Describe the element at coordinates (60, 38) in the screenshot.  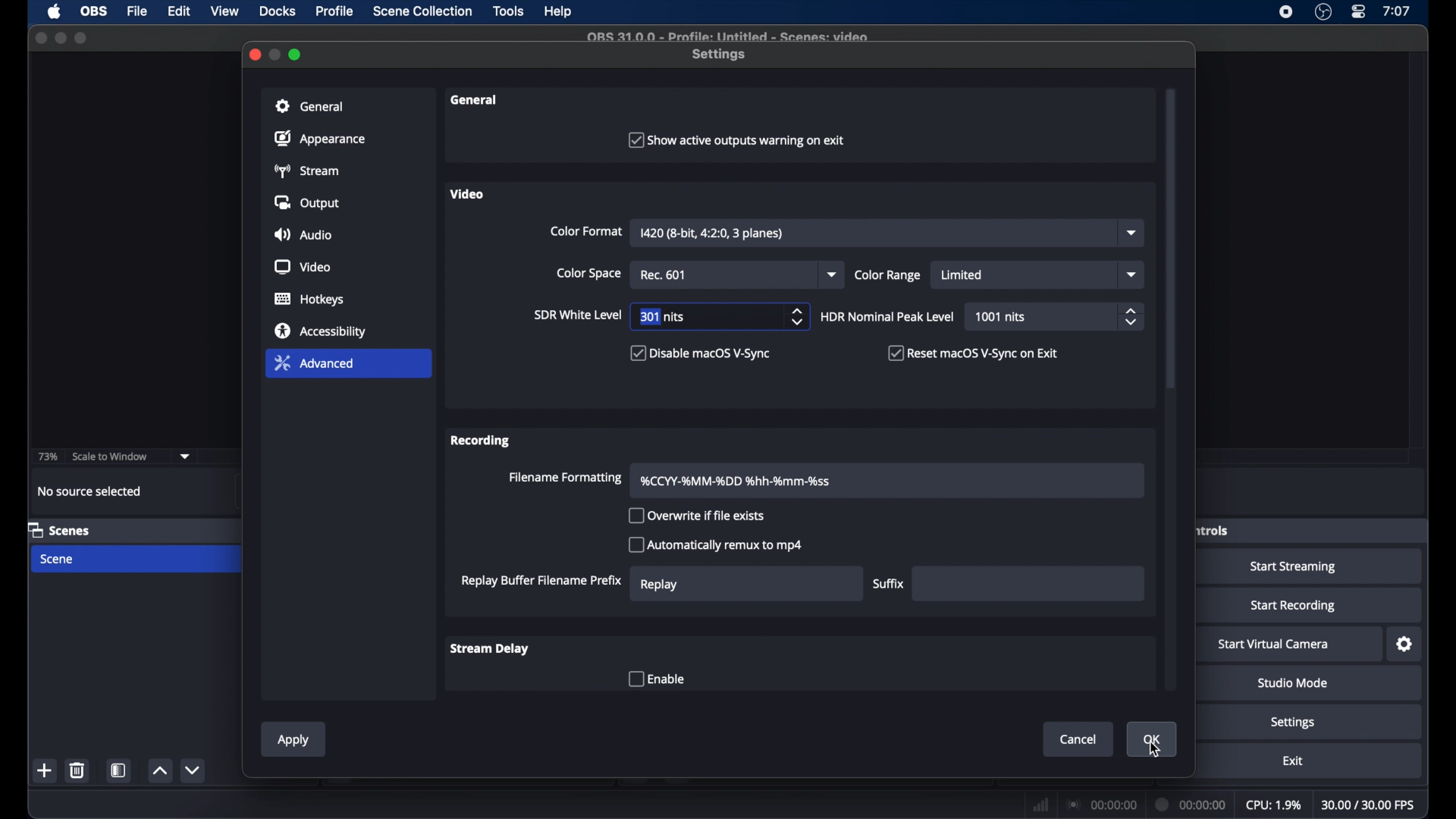
I see `minimize` at that location.